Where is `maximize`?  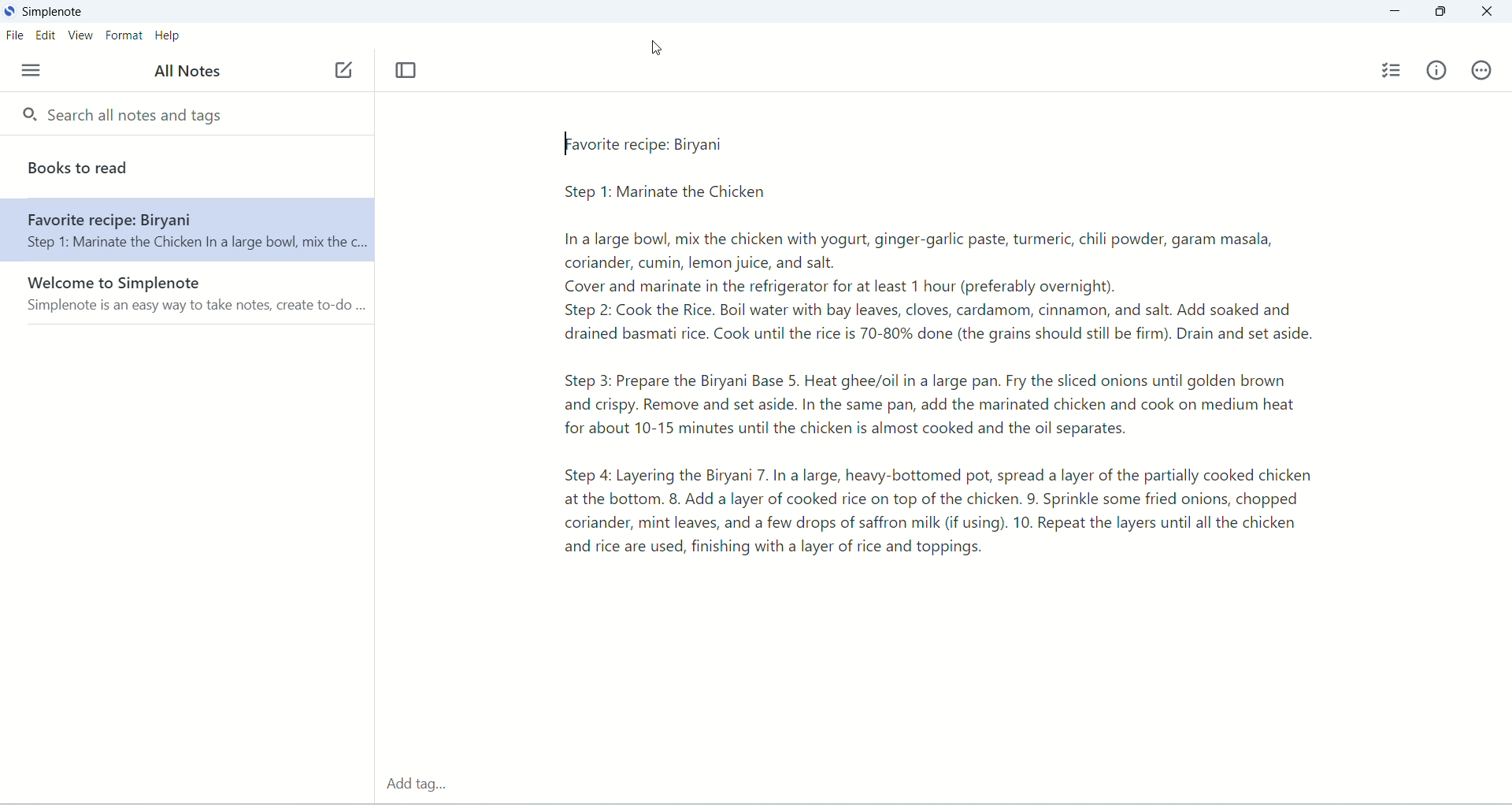
maximize is located at coordinates (1443, 13).